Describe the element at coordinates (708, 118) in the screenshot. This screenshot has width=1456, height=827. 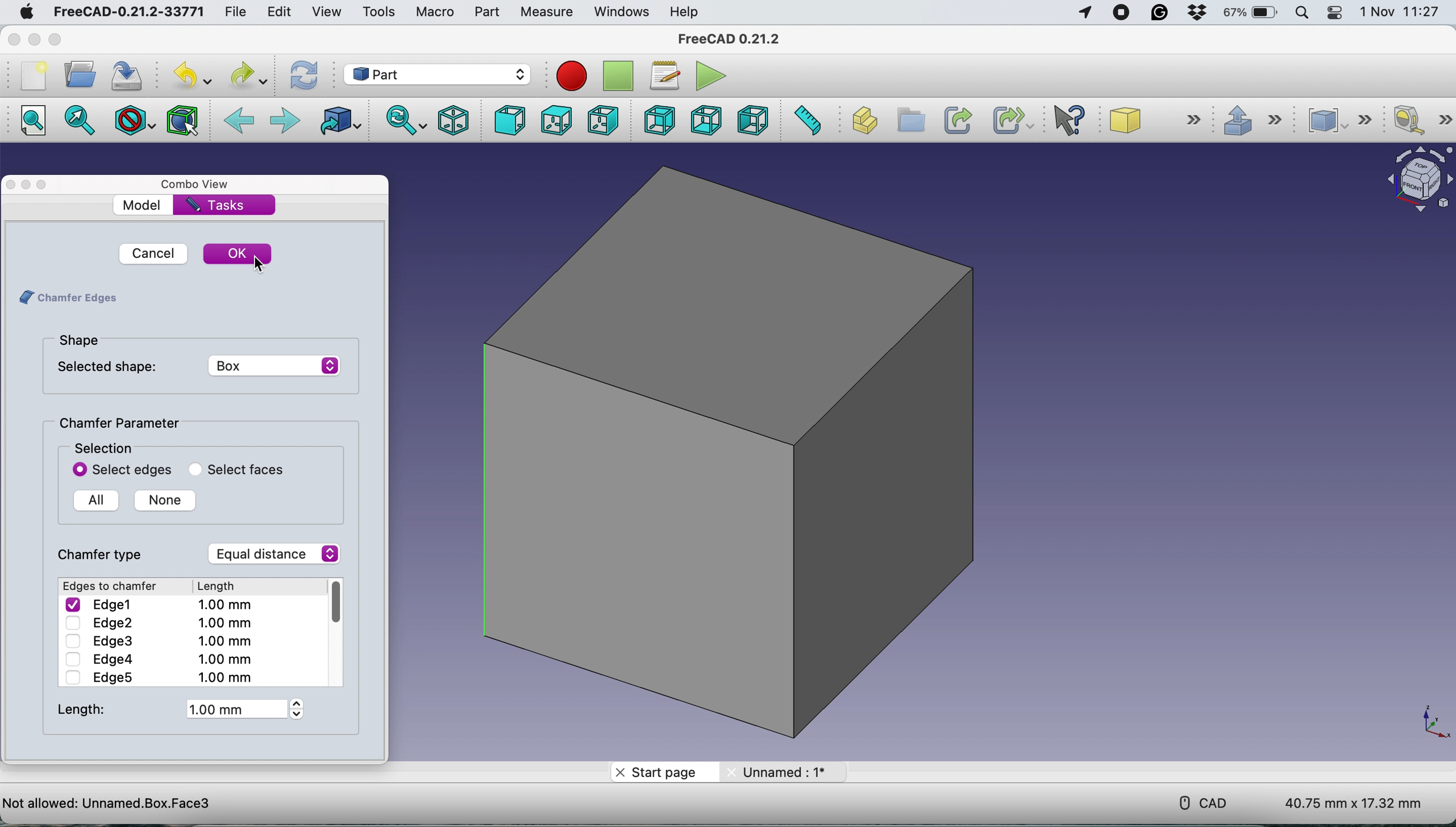
I see `bottom` at that location.